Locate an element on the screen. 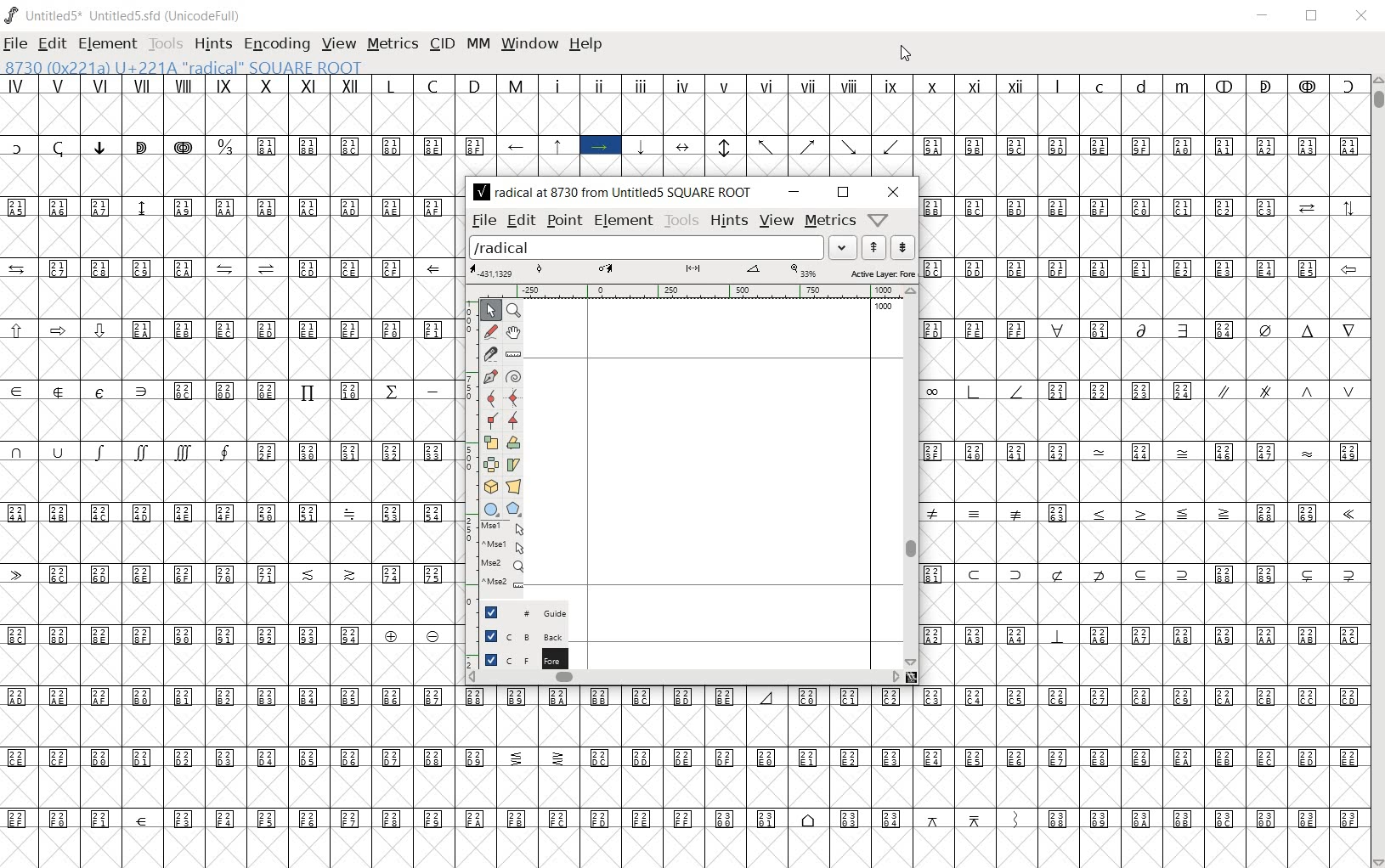 This screenshot has width=1385, height=868. magnify is located at coordinates (516, 310).